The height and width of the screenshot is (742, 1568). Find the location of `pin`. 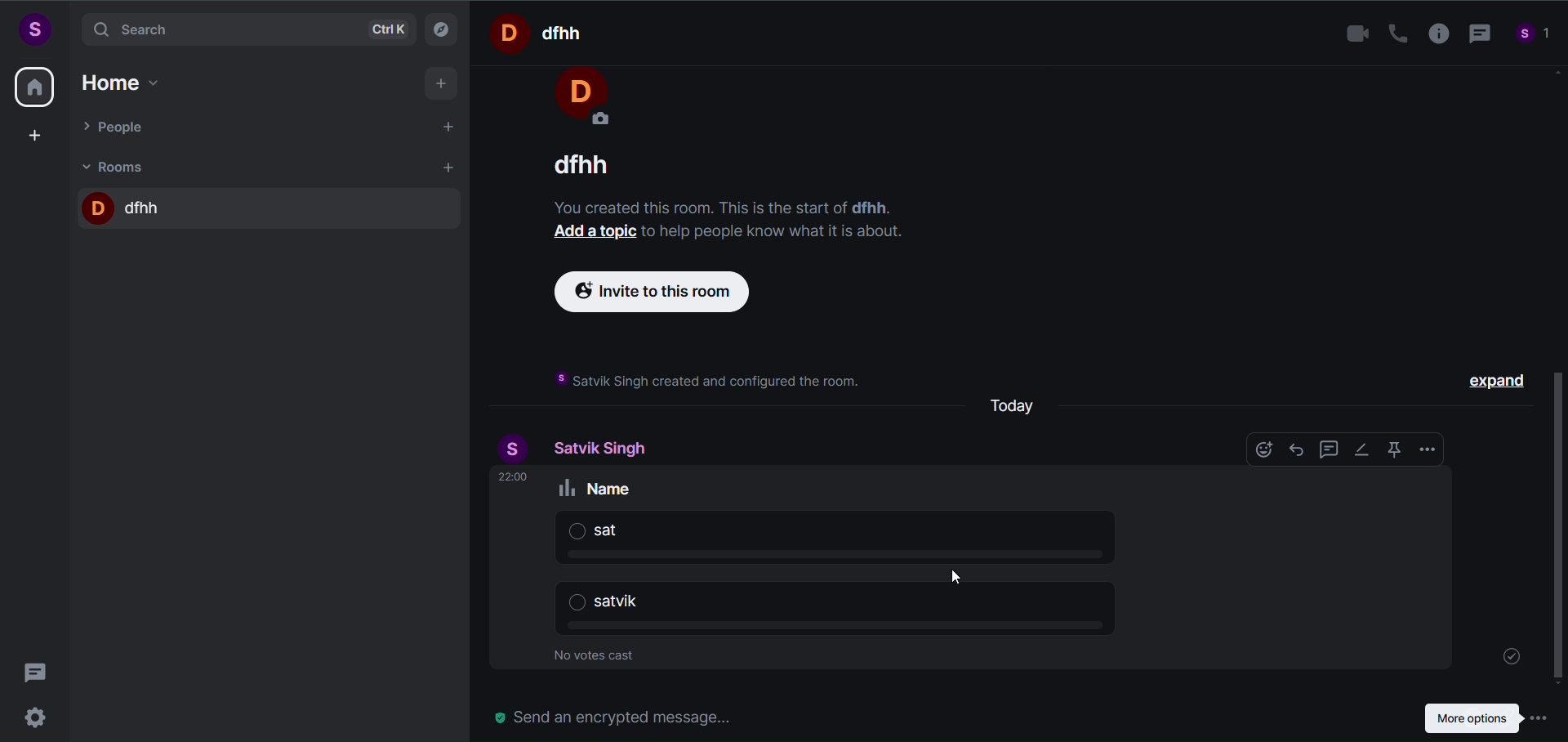

pin is located at coordinates (1391, 449).